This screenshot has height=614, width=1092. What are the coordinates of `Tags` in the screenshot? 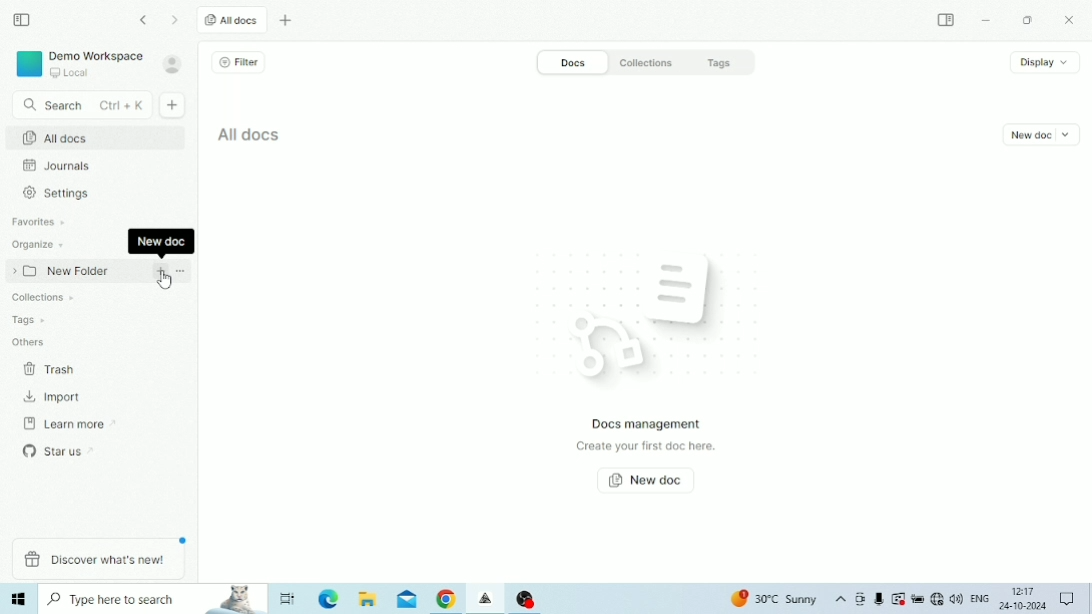 It's located at (730, 62).